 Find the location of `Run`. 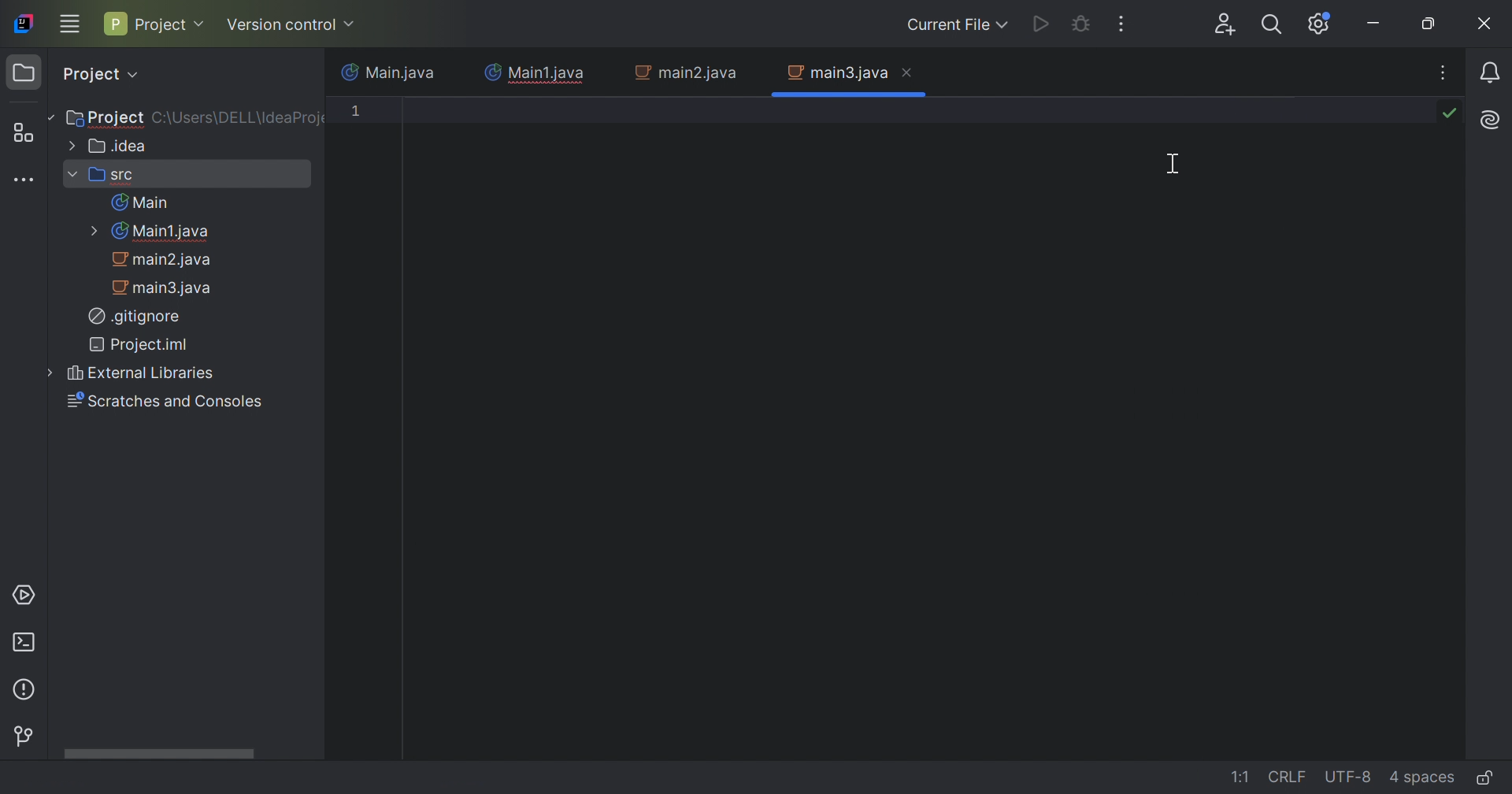

Run is located at coordinates (1040, 24).